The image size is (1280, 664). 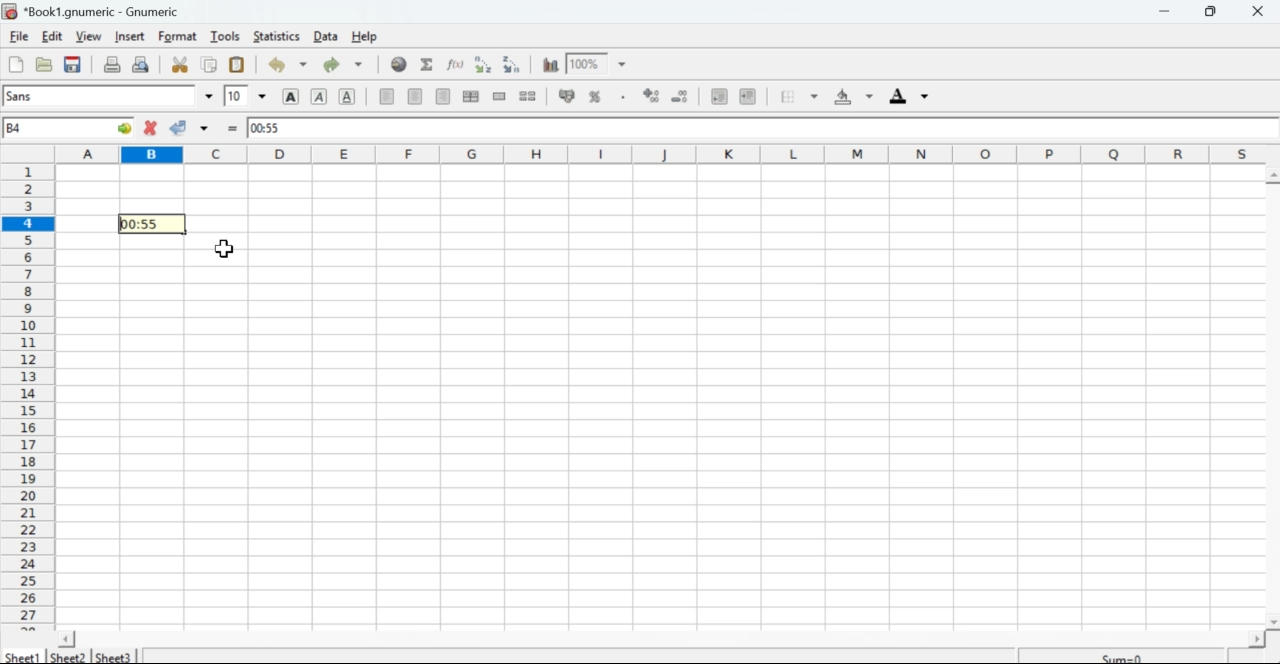 What do you see at coordinates (601, 63) in the screenshot?
I see `Zoom` at bounding box center [601, 63].